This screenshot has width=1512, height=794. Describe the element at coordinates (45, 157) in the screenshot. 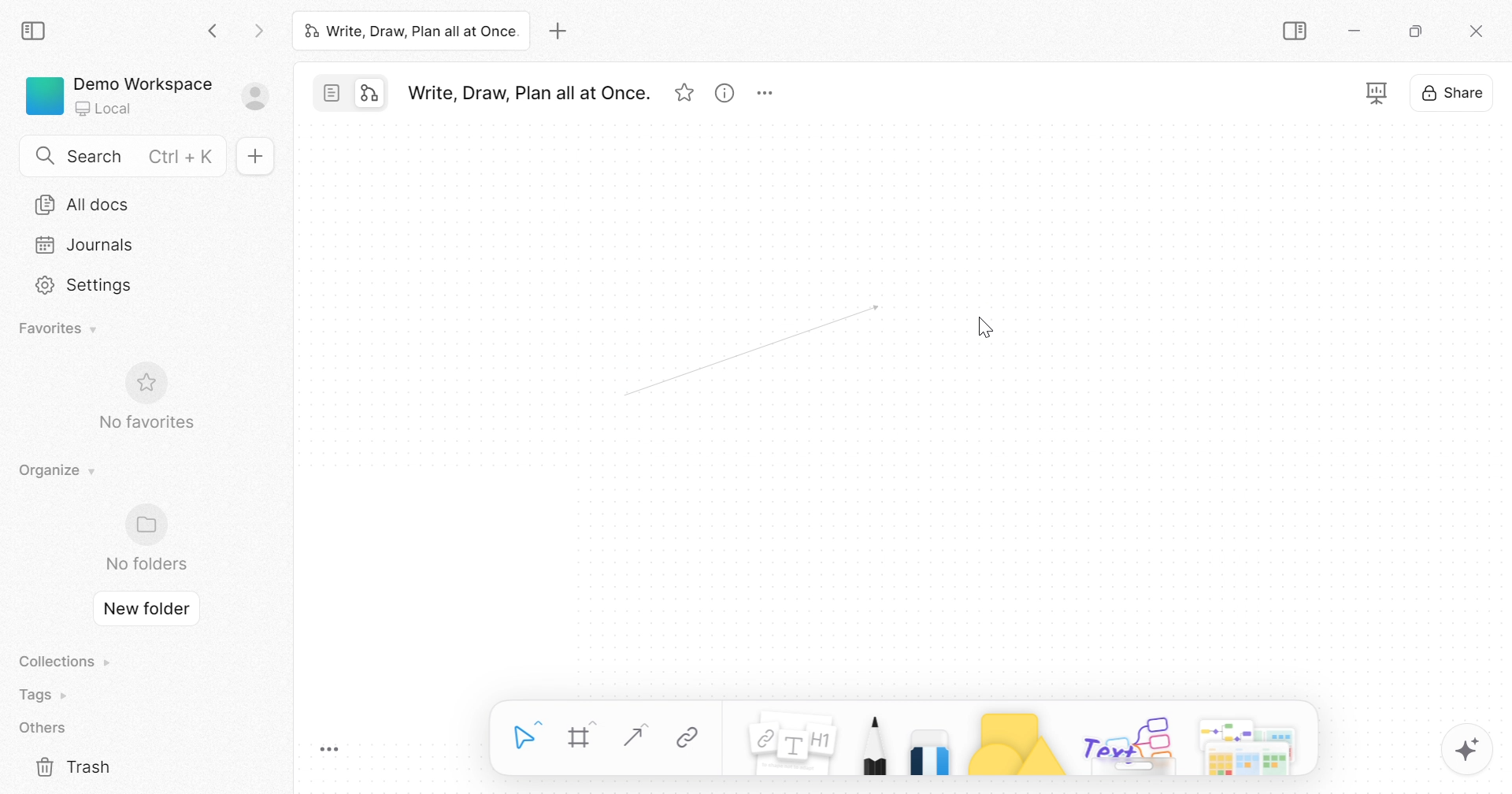

I see `Search icon` at that location.